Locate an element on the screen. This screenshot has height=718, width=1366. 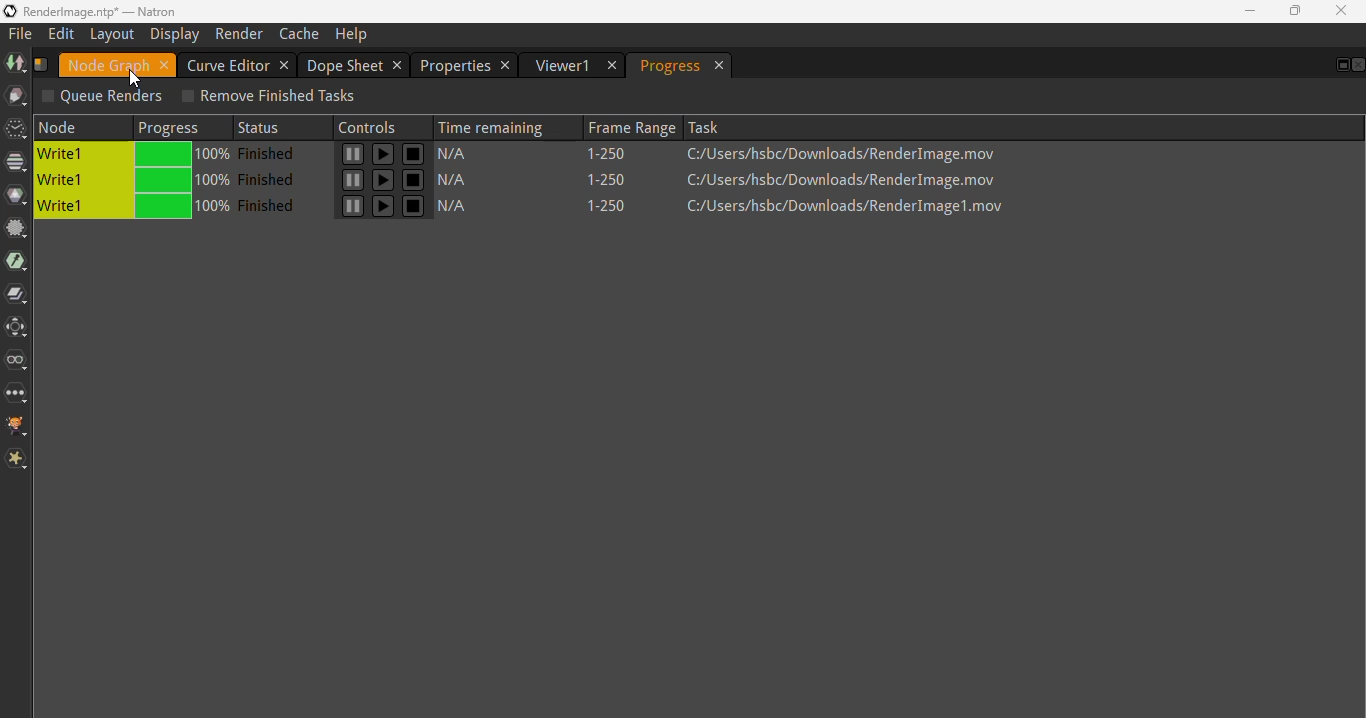
floating tab is located at coordinates (1339, 65).